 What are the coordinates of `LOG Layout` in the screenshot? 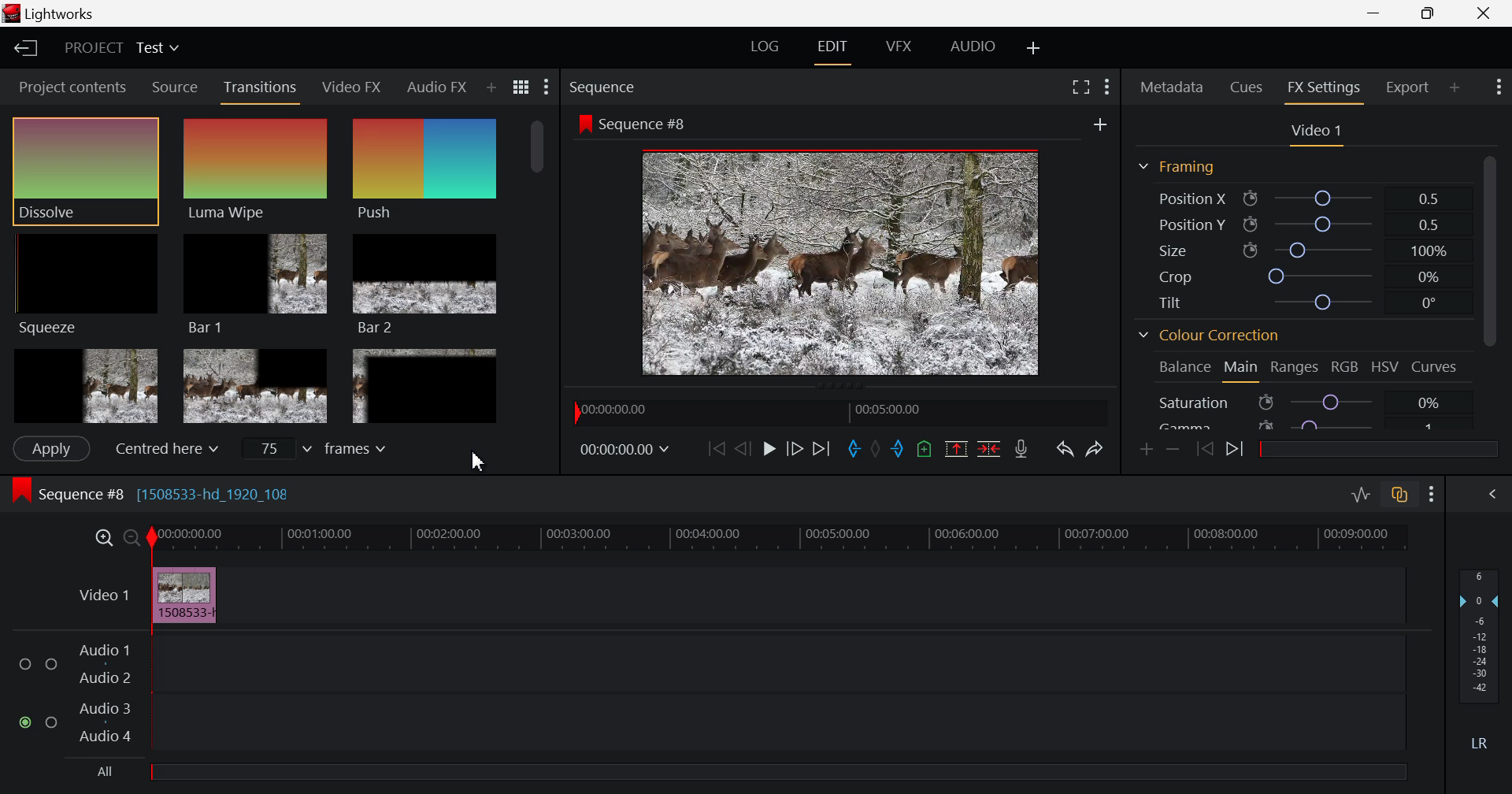 It's located at (767, 46).